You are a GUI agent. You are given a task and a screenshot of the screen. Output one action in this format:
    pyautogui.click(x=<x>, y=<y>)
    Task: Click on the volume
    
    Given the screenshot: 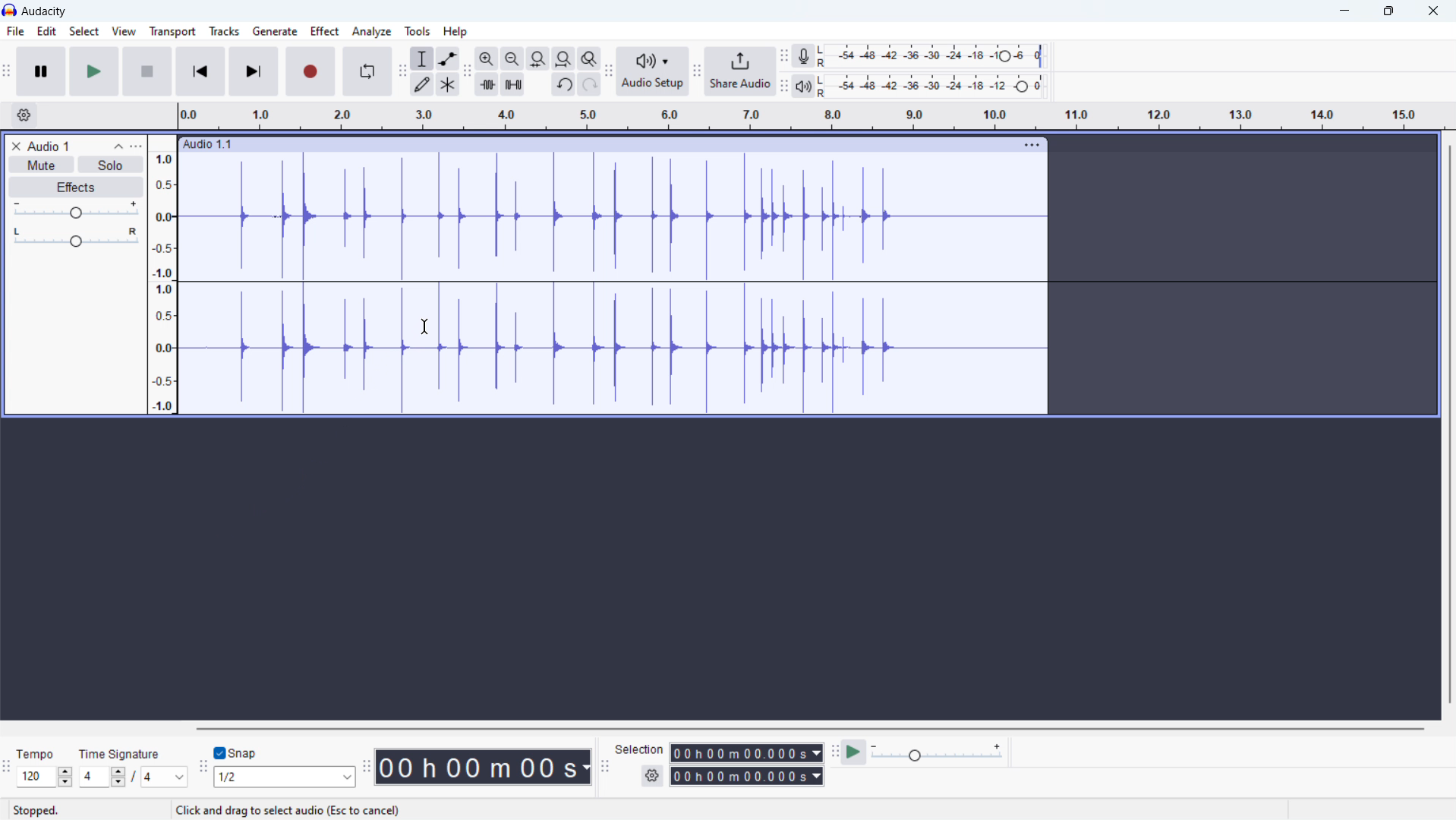 What is the action you would take?
    pyautogui.click(x=75, y=210)
    